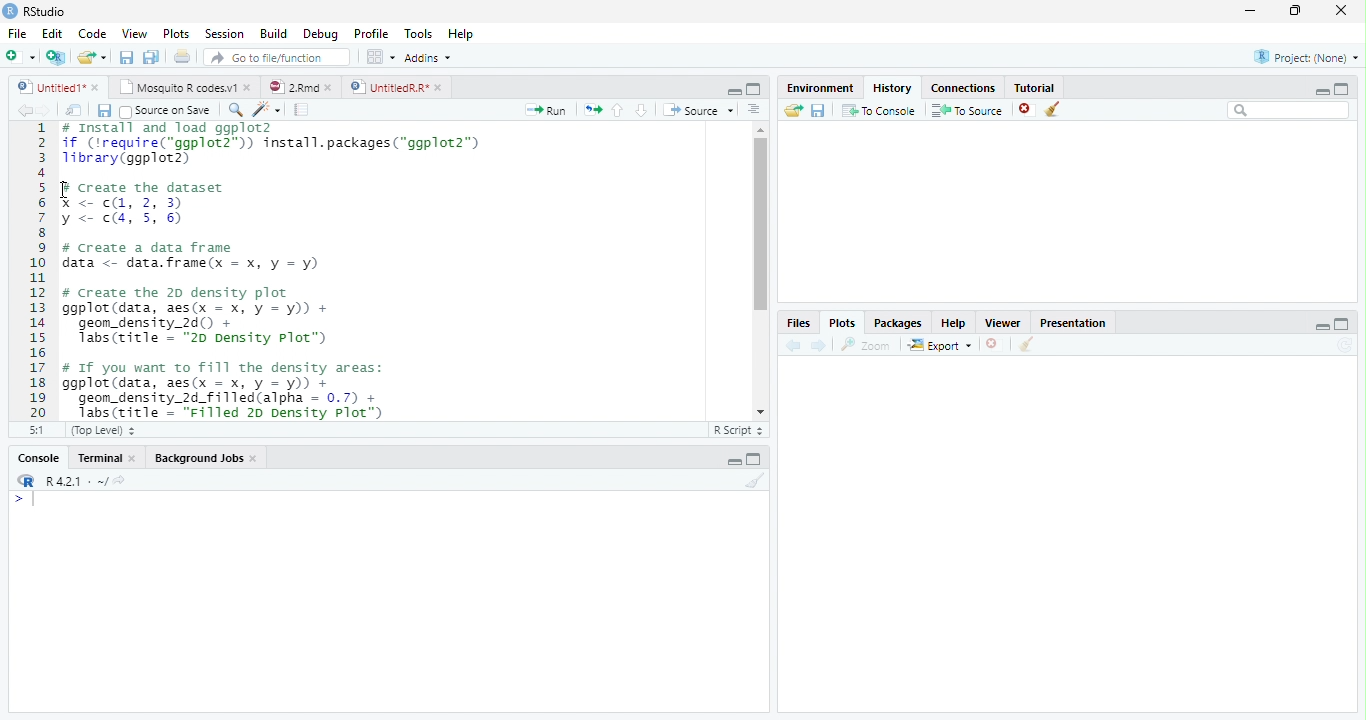 The width and height of the screenshot is (1366, 720). What do you see at coordinates (734, 462) in the screenshot?
I see `minimize` at bounding box center [734, 462].